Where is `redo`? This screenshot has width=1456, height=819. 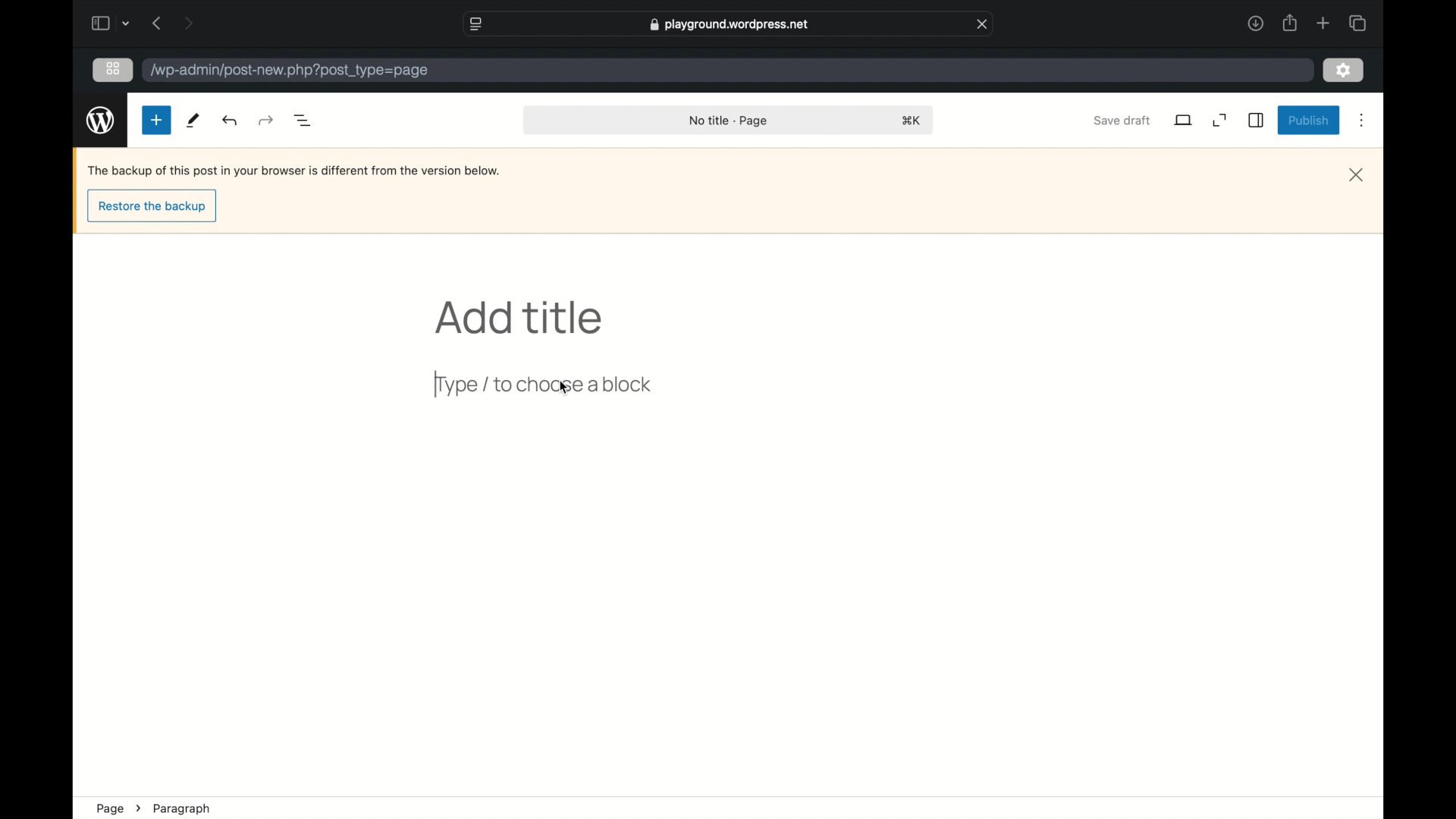
redo is located at coordinates (231, 120).